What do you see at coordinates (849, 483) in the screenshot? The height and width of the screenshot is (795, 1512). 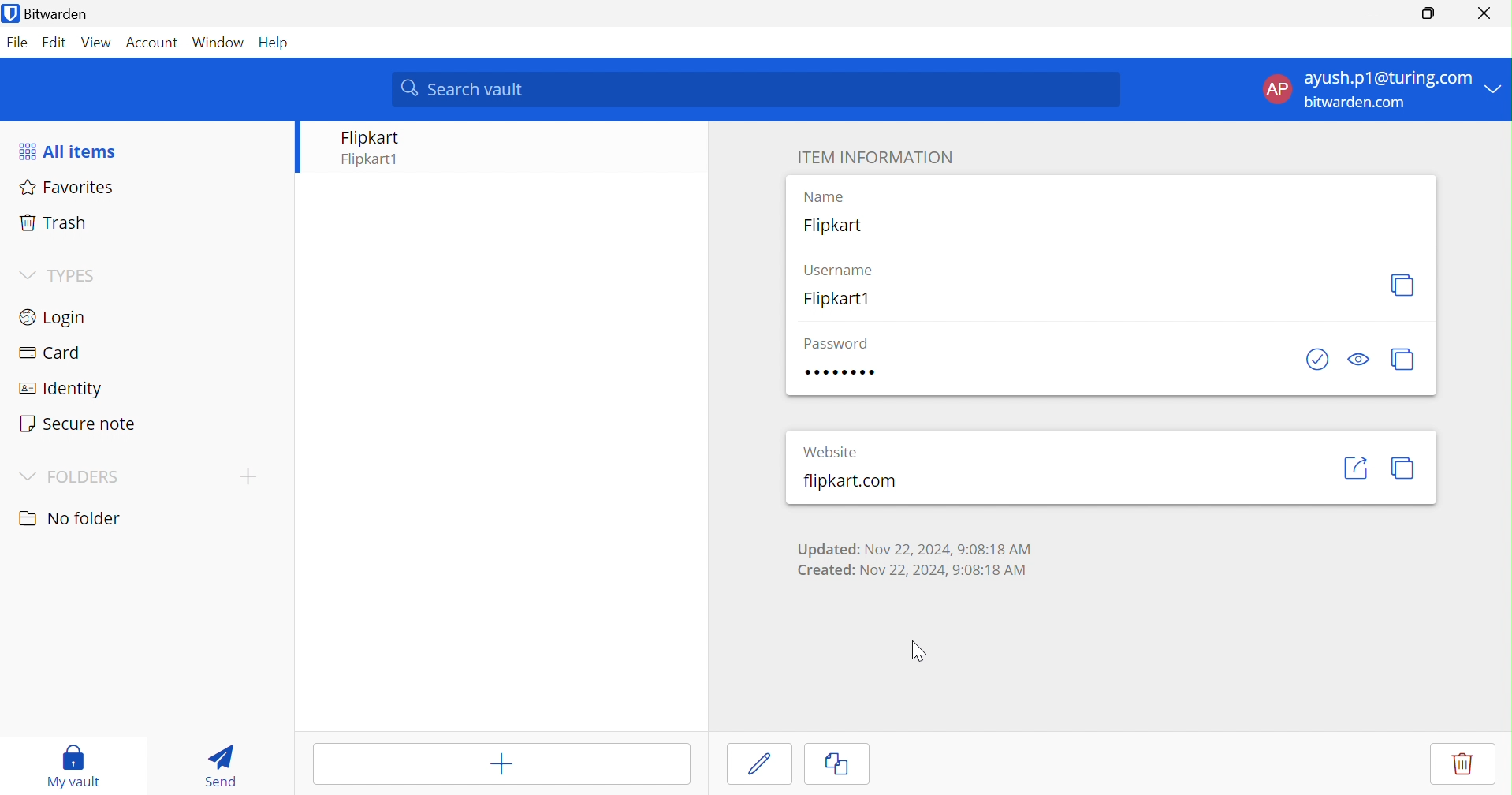 I see `flipkart.com` at bounding box center [849, 483].